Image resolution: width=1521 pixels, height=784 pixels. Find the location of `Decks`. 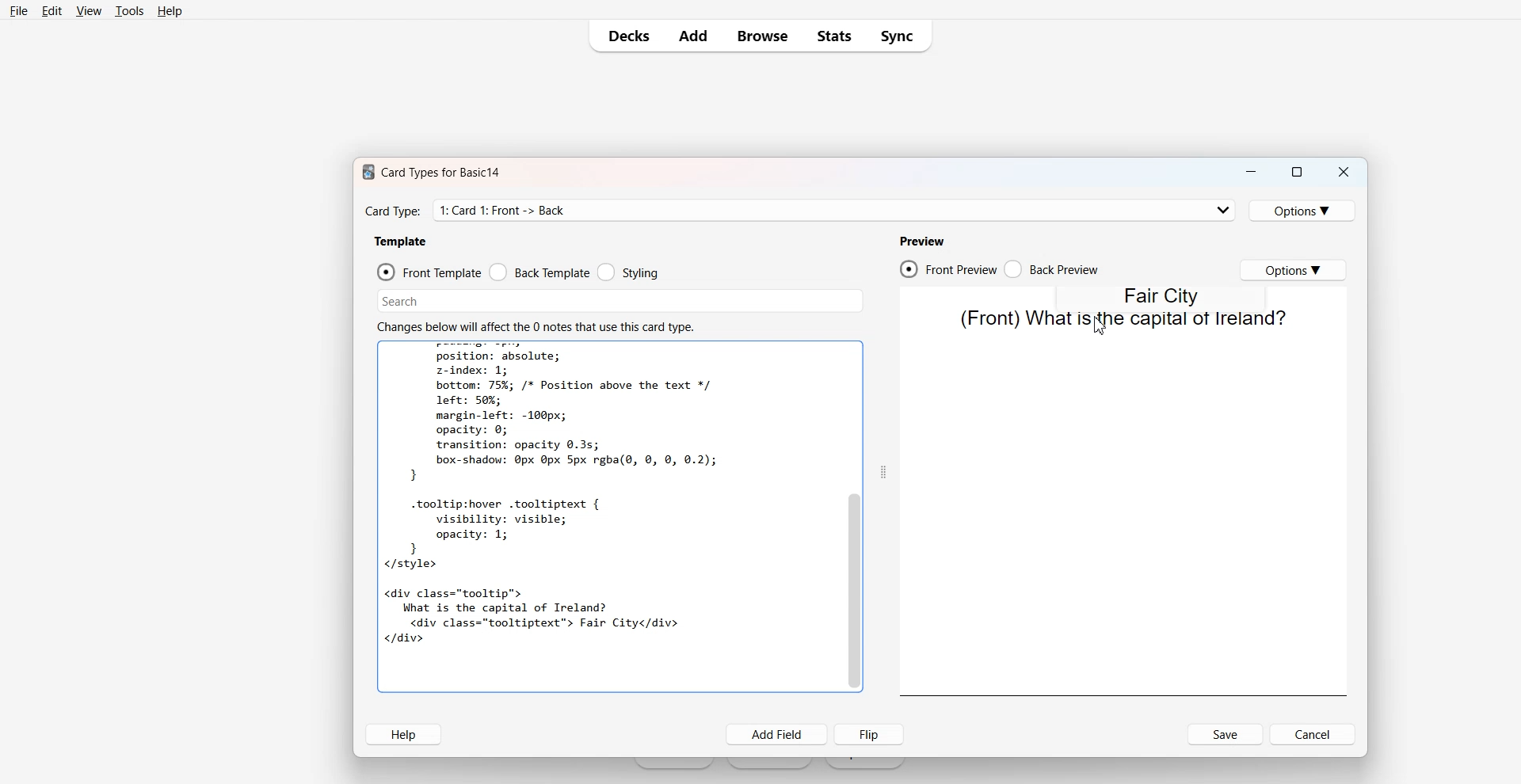

Decks is located at coordinates (624, 36).